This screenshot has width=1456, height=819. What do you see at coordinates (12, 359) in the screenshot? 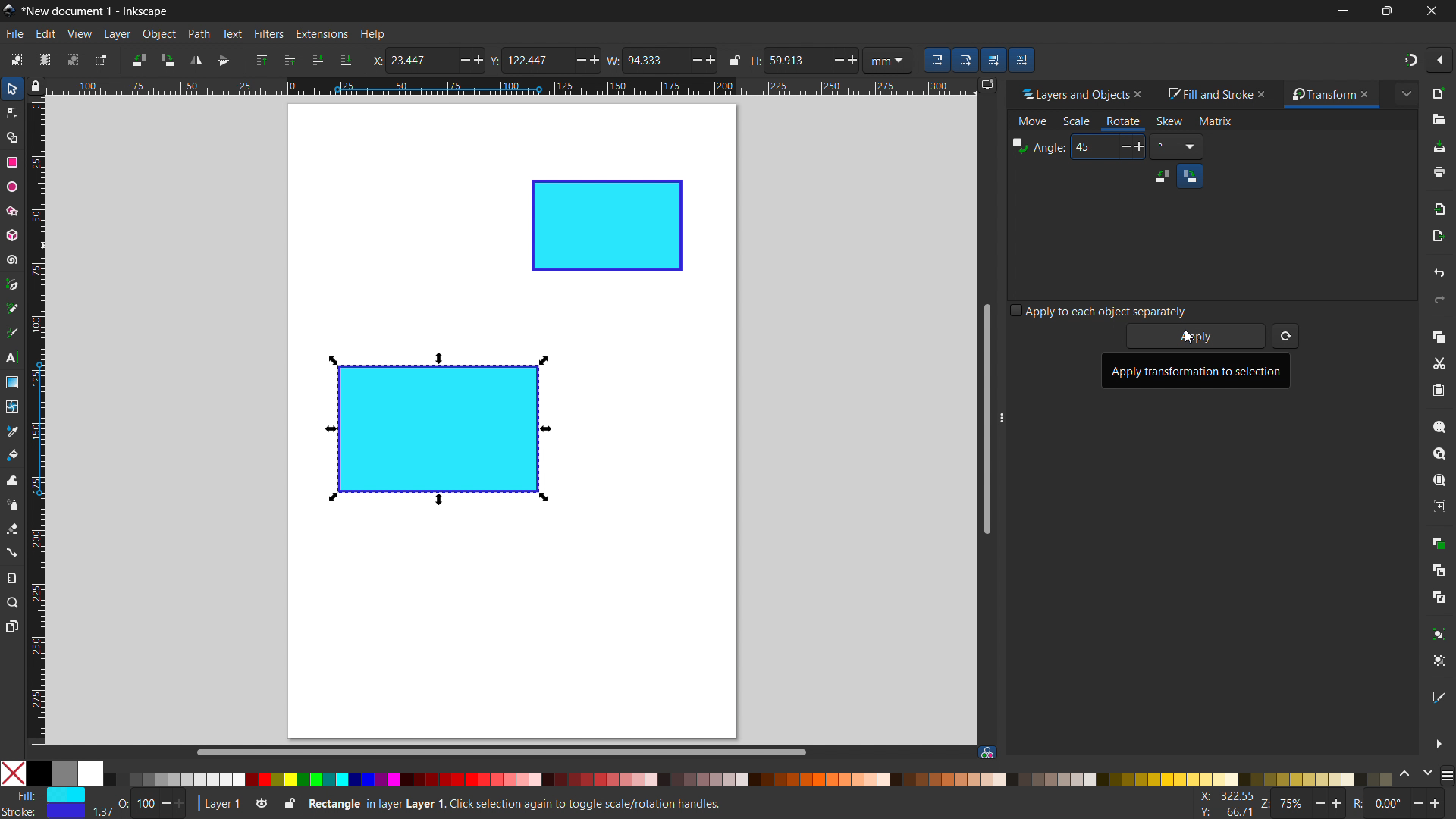
I see `text tool` at bounding box center [12, 359].